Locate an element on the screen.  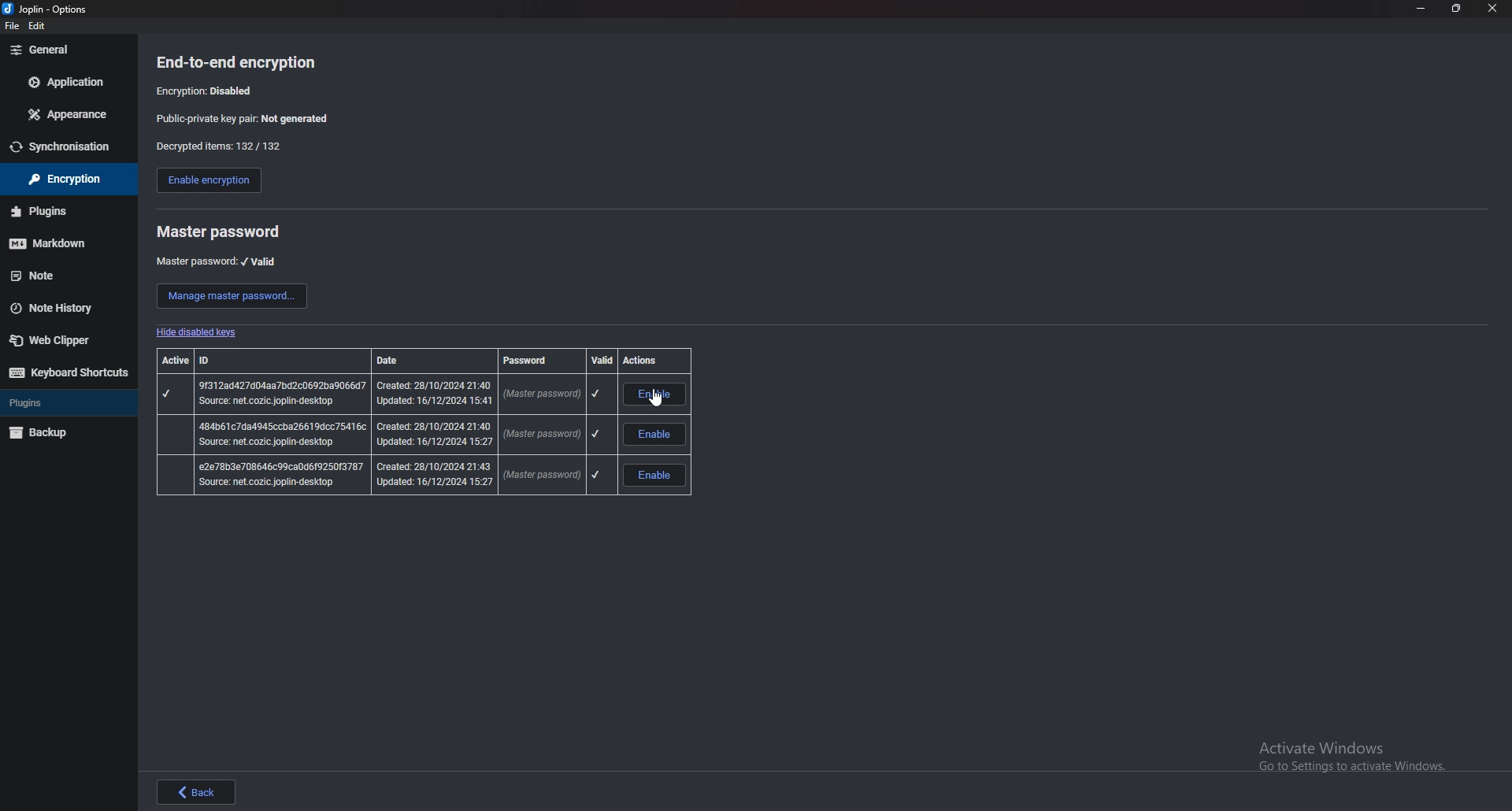
edit is located at coordinates (39, 24).